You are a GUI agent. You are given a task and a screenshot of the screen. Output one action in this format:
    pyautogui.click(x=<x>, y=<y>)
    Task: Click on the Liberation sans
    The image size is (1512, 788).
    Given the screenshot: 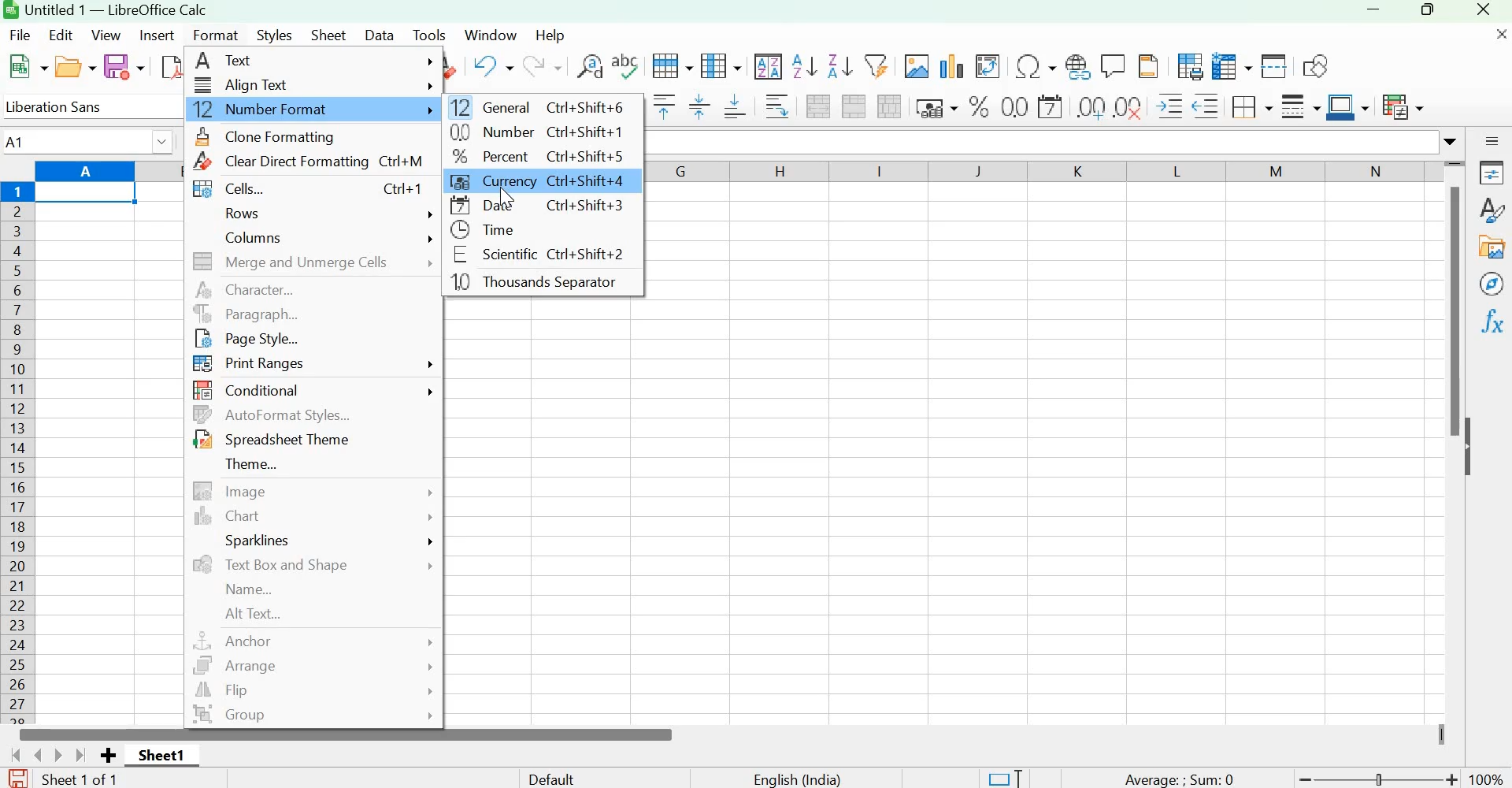 What is the action you would take?
    pyautogui.click(x=71, y=106)
    